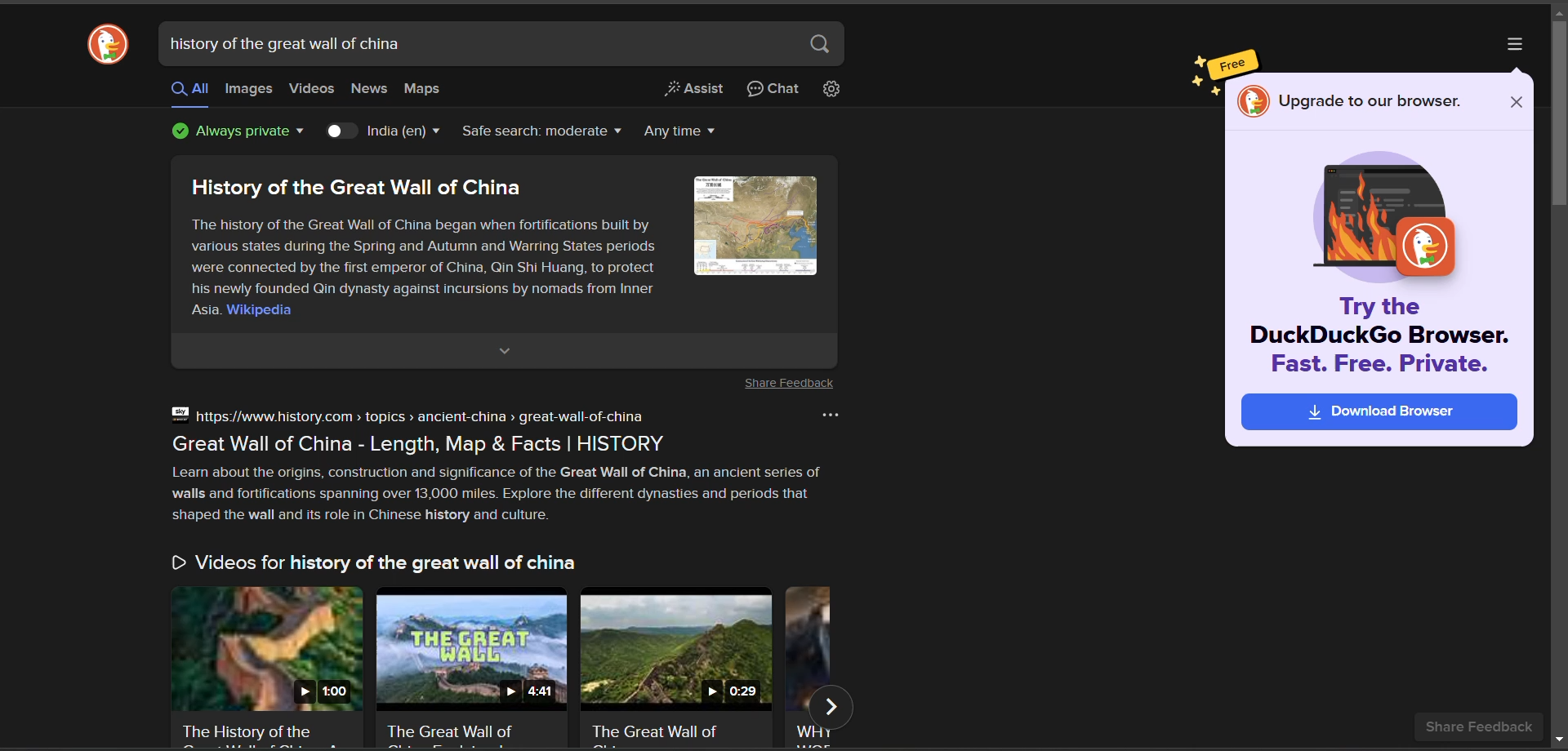  I want to click on images, so click(249, 91).